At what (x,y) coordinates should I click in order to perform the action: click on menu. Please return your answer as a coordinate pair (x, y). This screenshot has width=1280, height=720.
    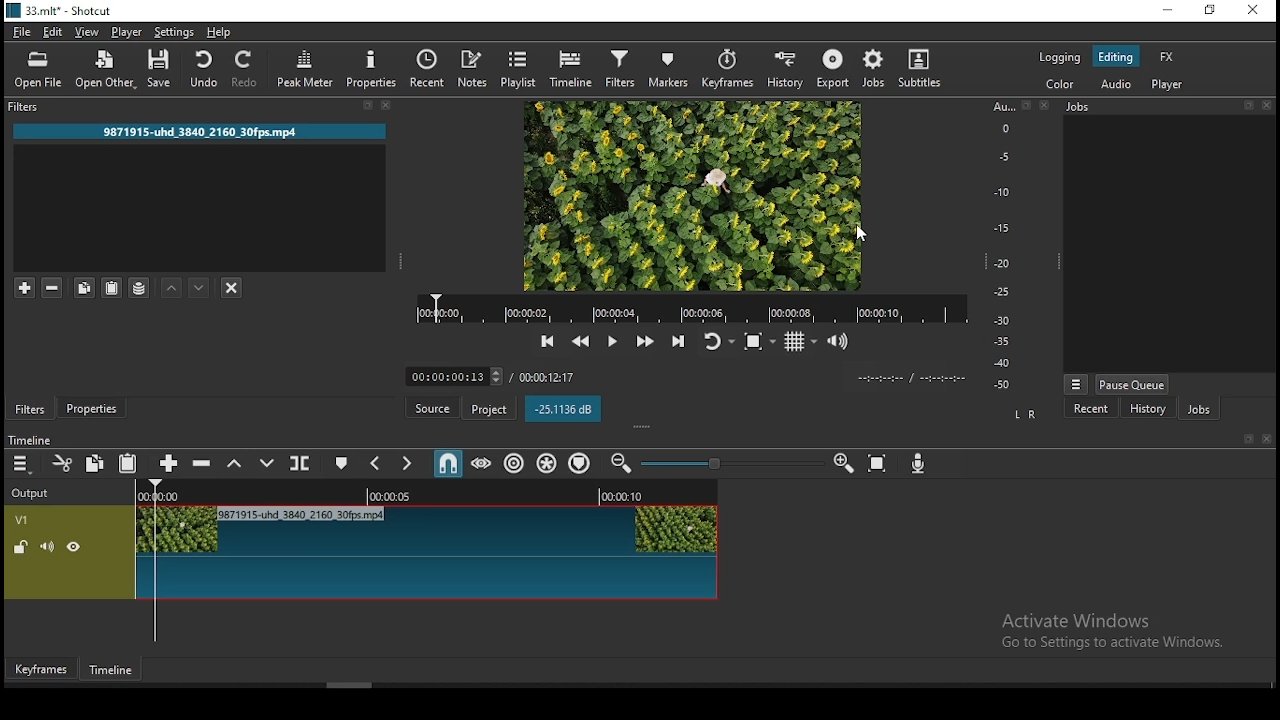
    Looking at the image, I should click on (23, 464).